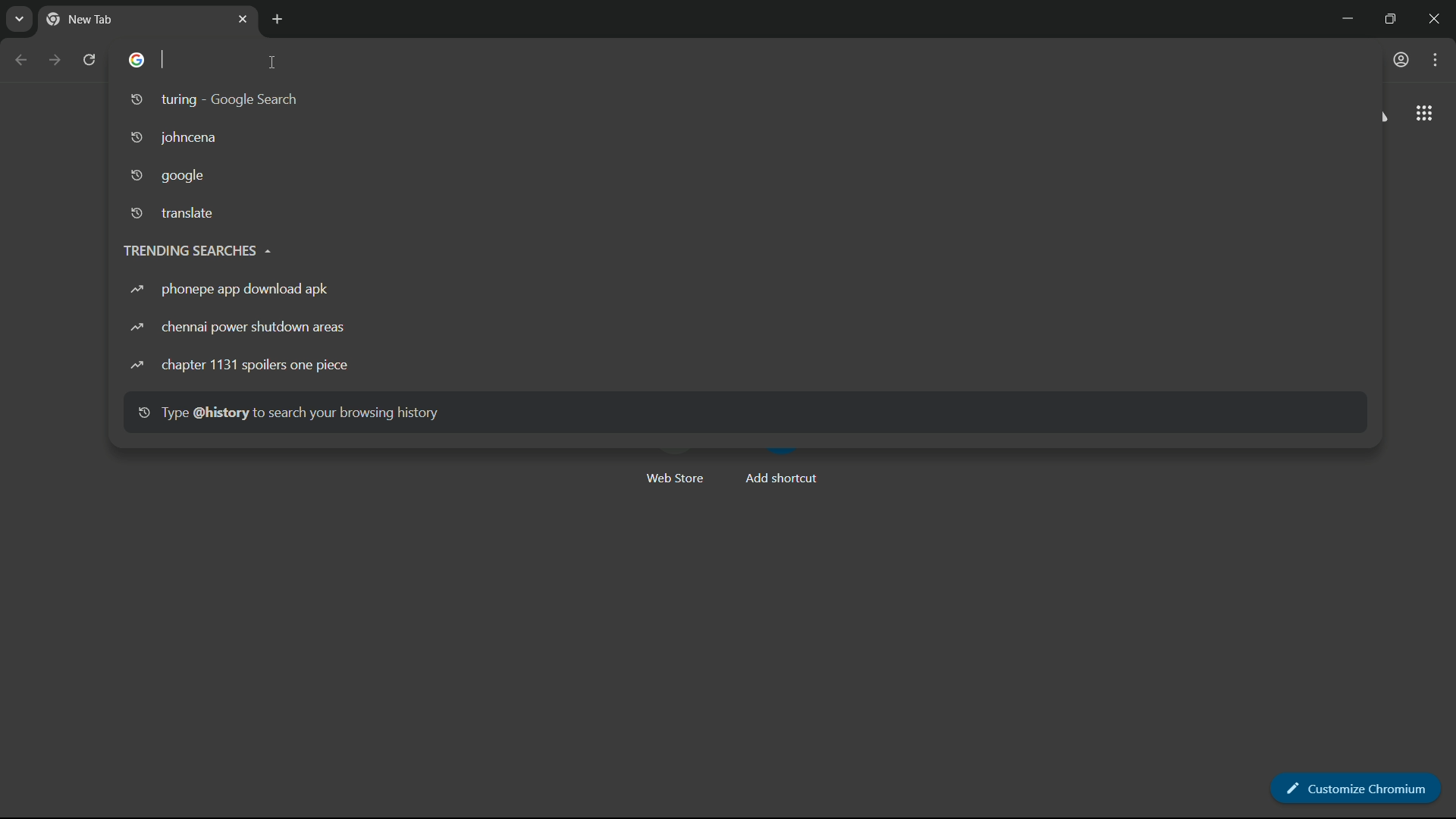 Image resolution: width=1456 pixels, height=819 pixels. I want to click on trending searches, so click(196, 249).